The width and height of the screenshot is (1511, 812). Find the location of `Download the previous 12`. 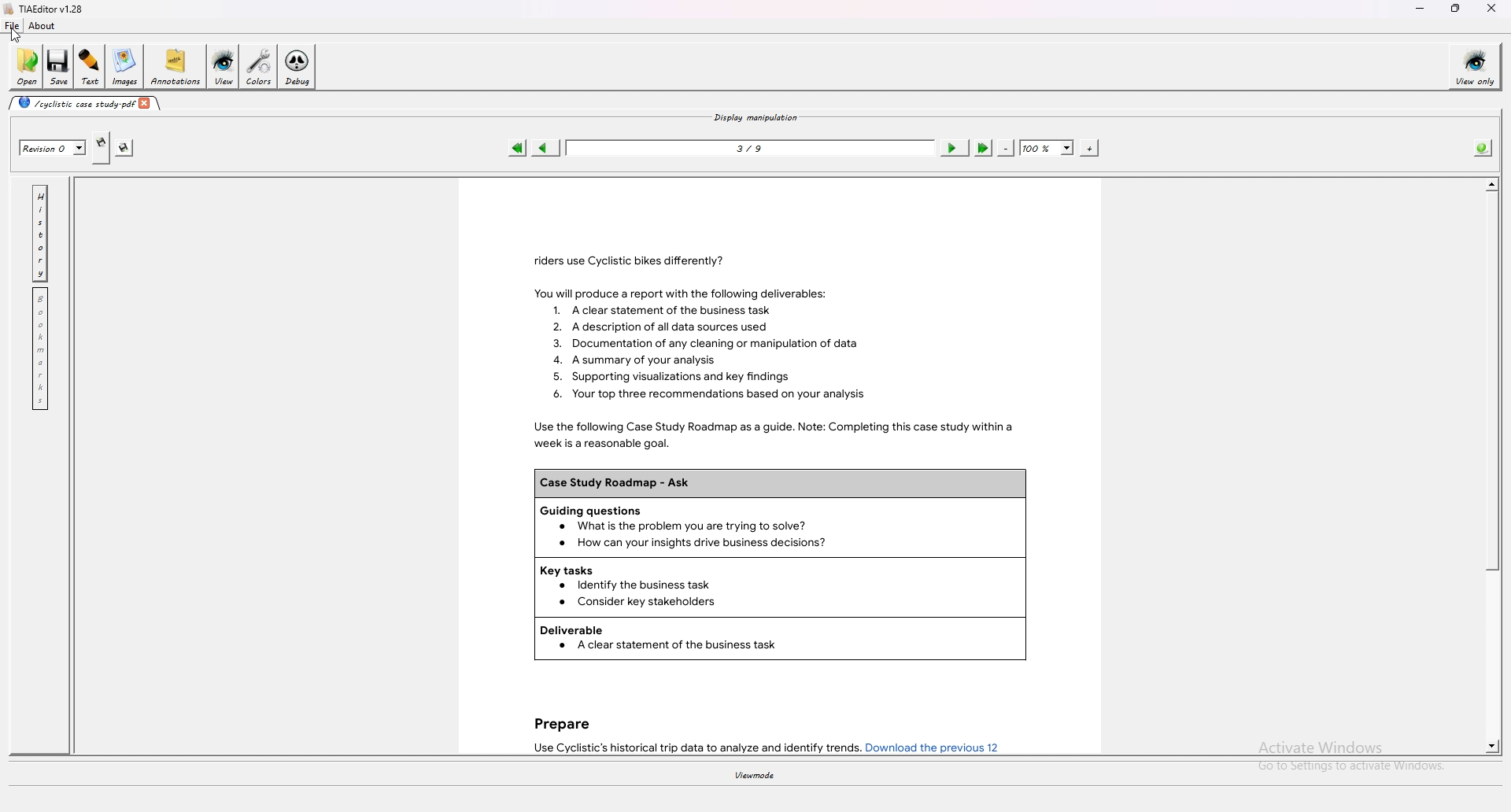

Download the previous 12 is located at coordinates (937, 747).